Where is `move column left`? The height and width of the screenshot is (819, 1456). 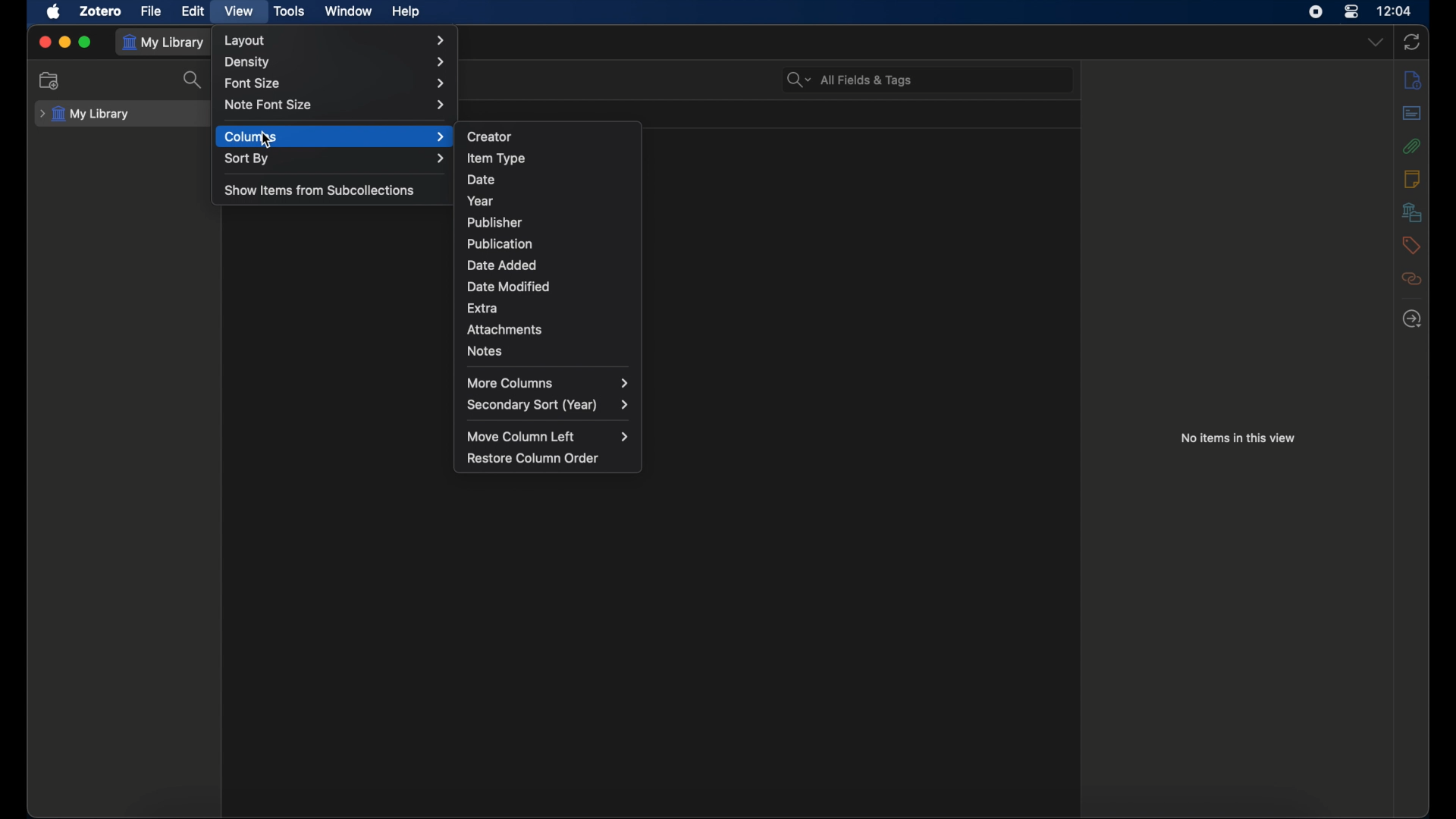
move column left is located at coordinates (546, 436).